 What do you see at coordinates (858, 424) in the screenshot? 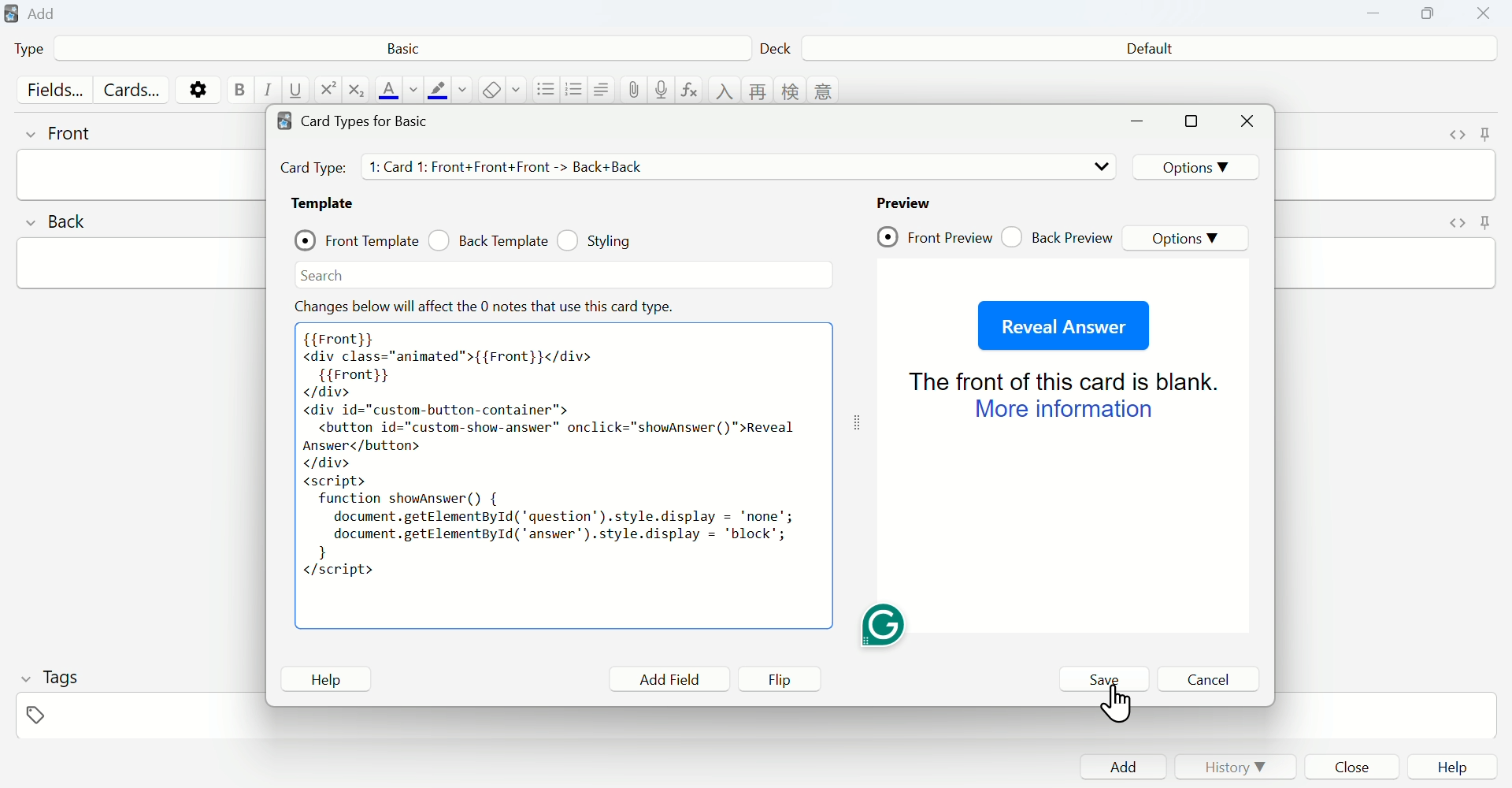
I see `toggle expand/contract` at bounding box center [858, 424].